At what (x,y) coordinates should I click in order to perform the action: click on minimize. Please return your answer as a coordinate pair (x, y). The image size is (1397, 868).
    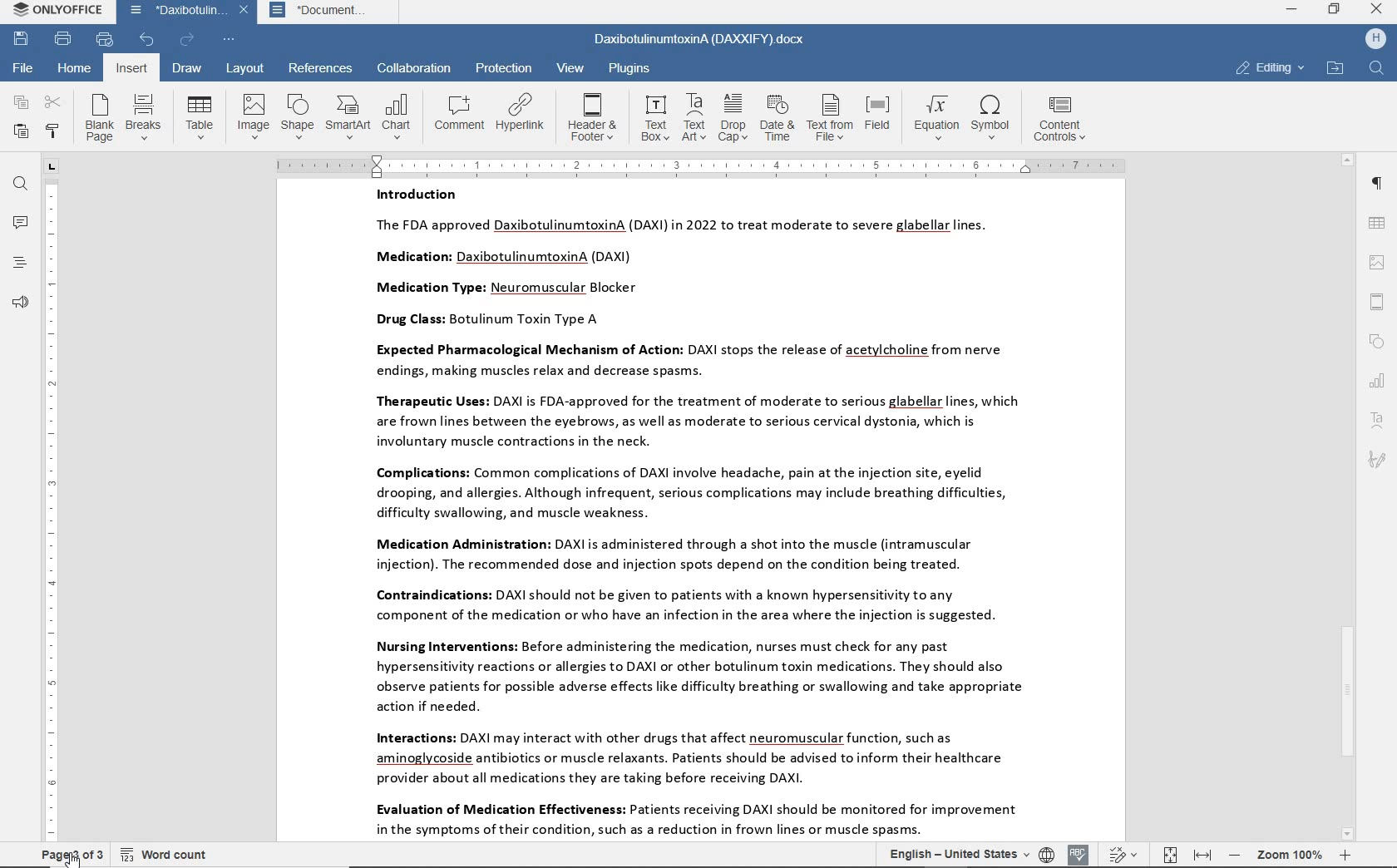
    Looking at the image, I should click on (1292, 8).